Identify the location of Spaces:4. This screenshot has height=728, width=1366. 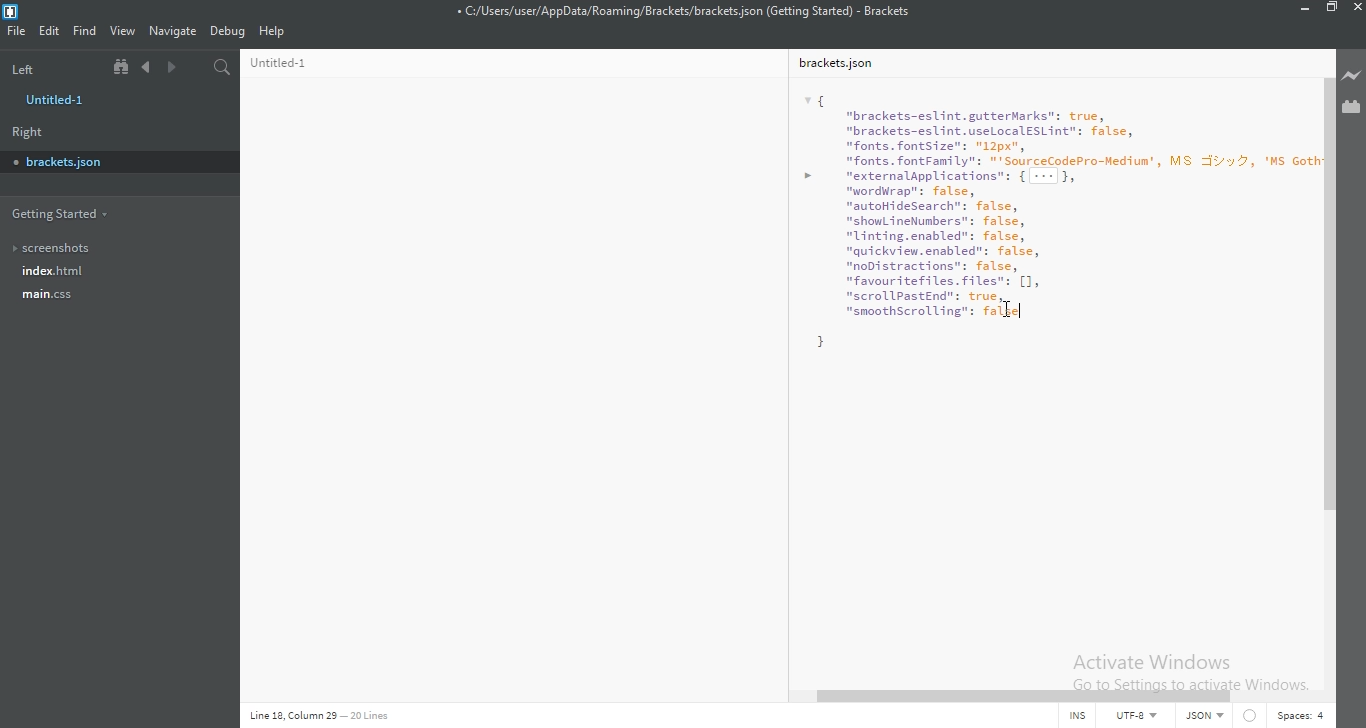
(1308, 718).